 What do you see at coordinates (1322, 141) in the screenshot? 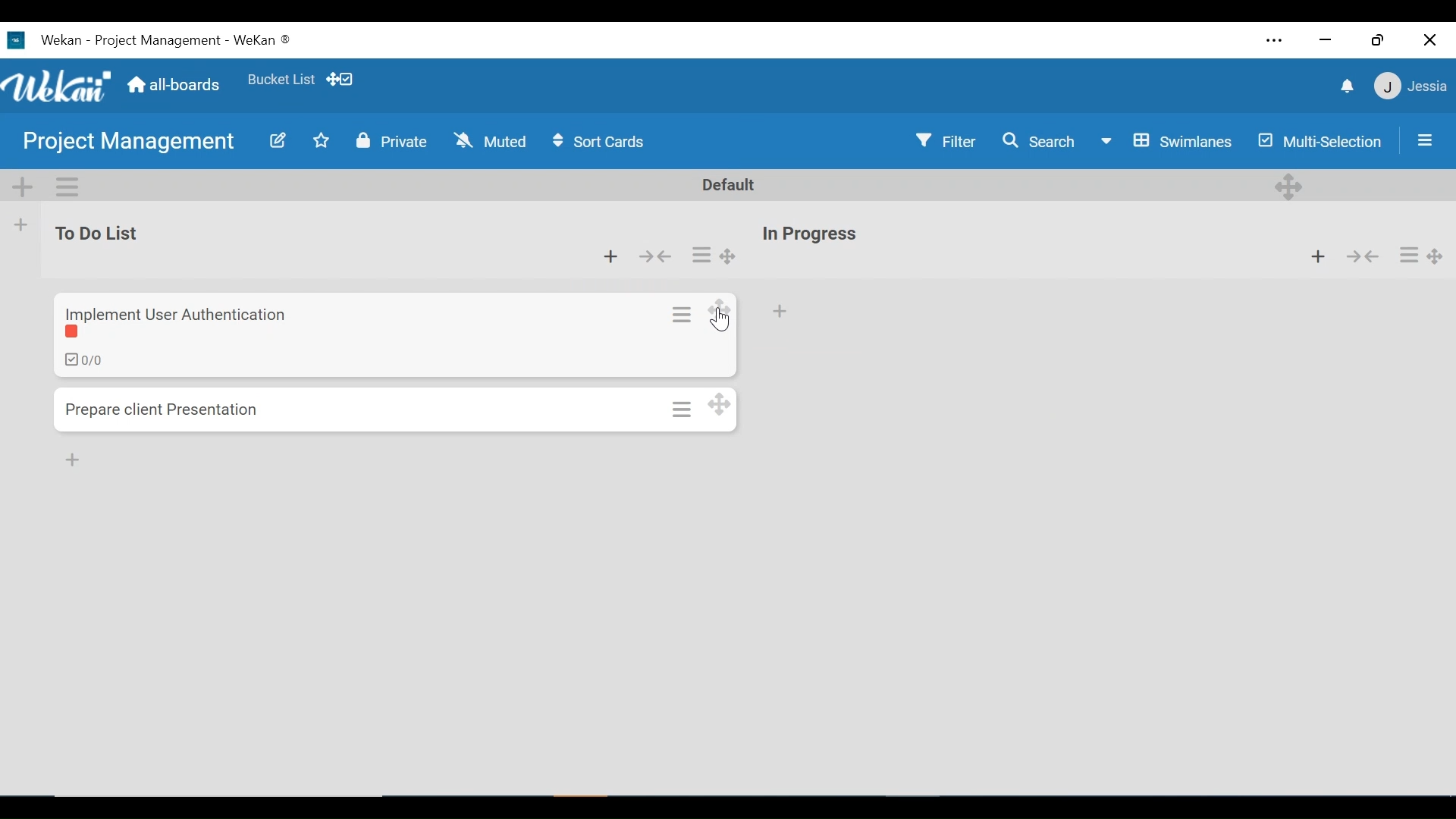
I see `Multi-selection` at bounding box center [1322, 141].